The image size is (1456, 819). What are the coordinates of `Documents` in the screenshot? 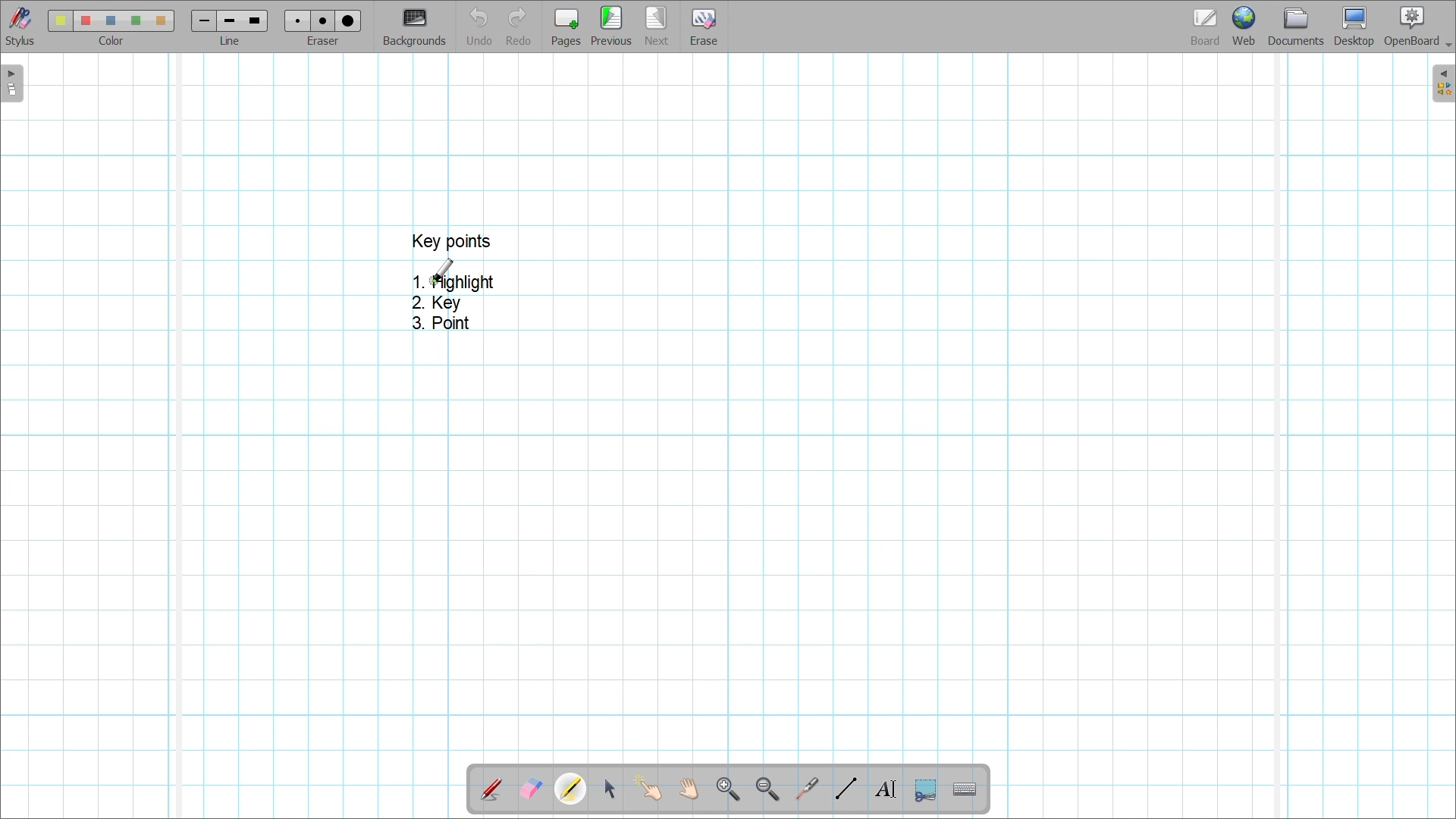 It's located at (1296, 27).